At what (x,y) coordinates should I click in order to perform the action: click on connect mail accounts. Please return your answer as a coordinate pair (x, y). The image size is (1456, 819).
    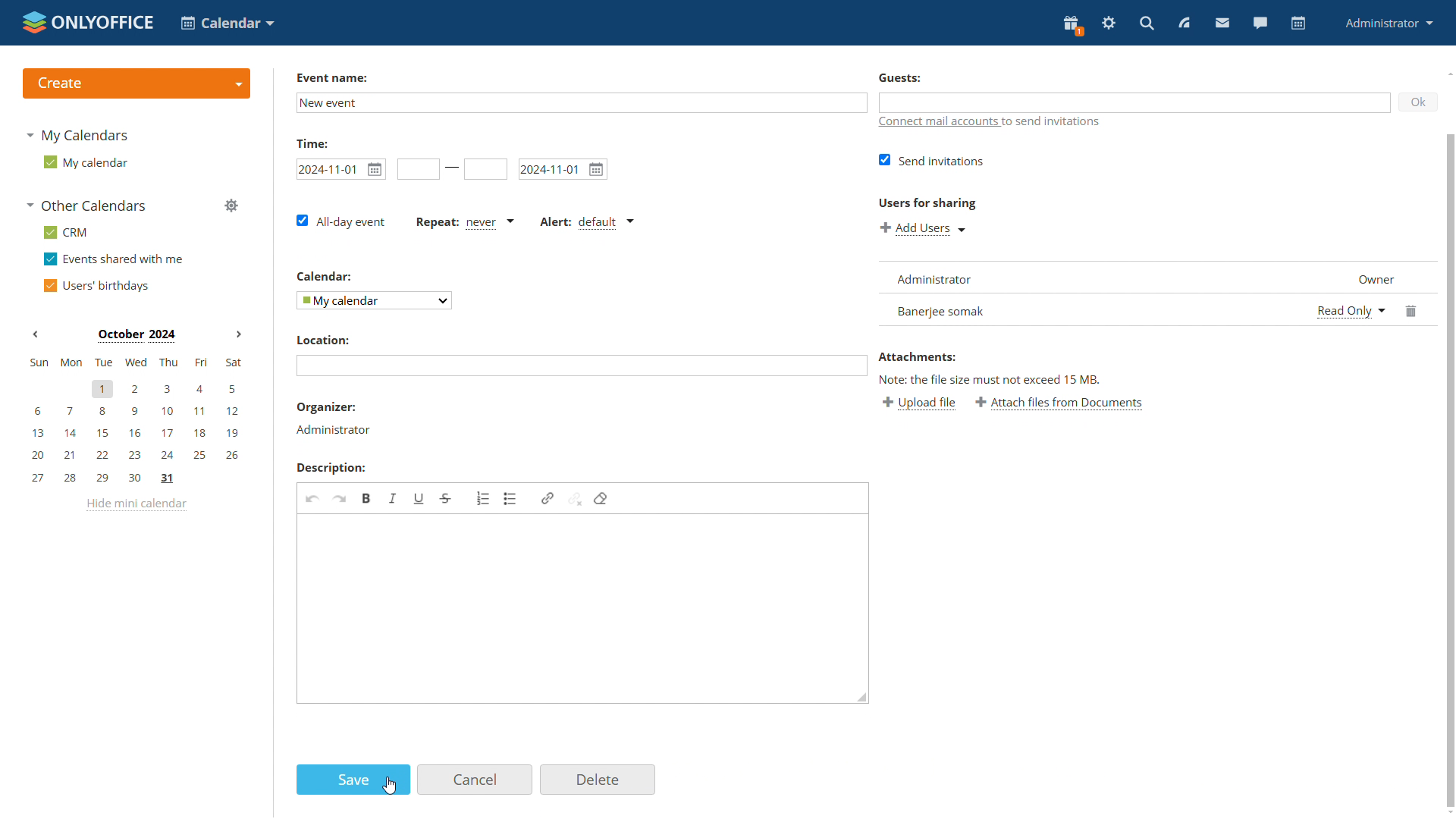
    Looking at the image, I should click on (1016, 123).